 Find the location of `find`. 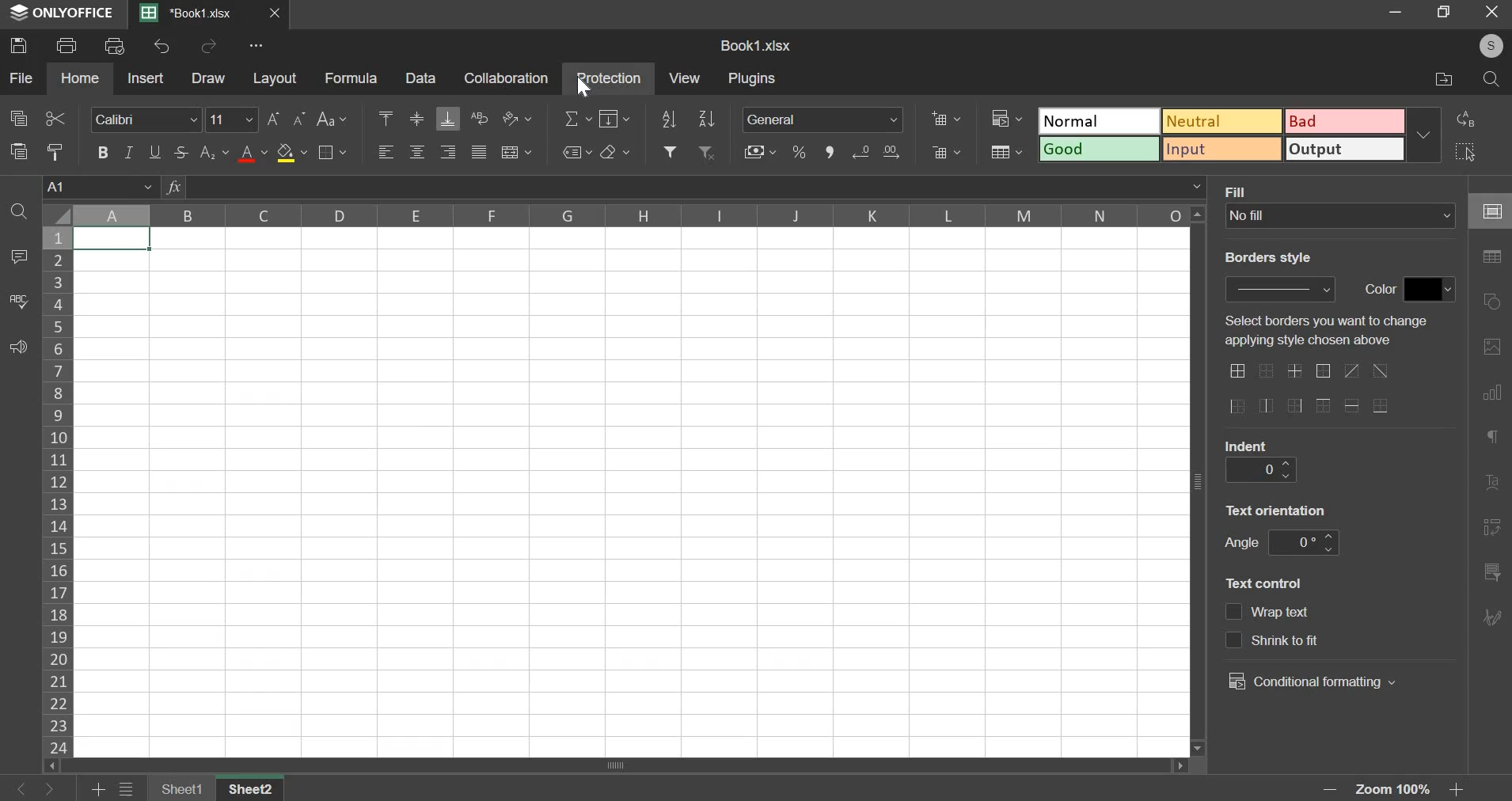

find is located at coordinates (20, 211).